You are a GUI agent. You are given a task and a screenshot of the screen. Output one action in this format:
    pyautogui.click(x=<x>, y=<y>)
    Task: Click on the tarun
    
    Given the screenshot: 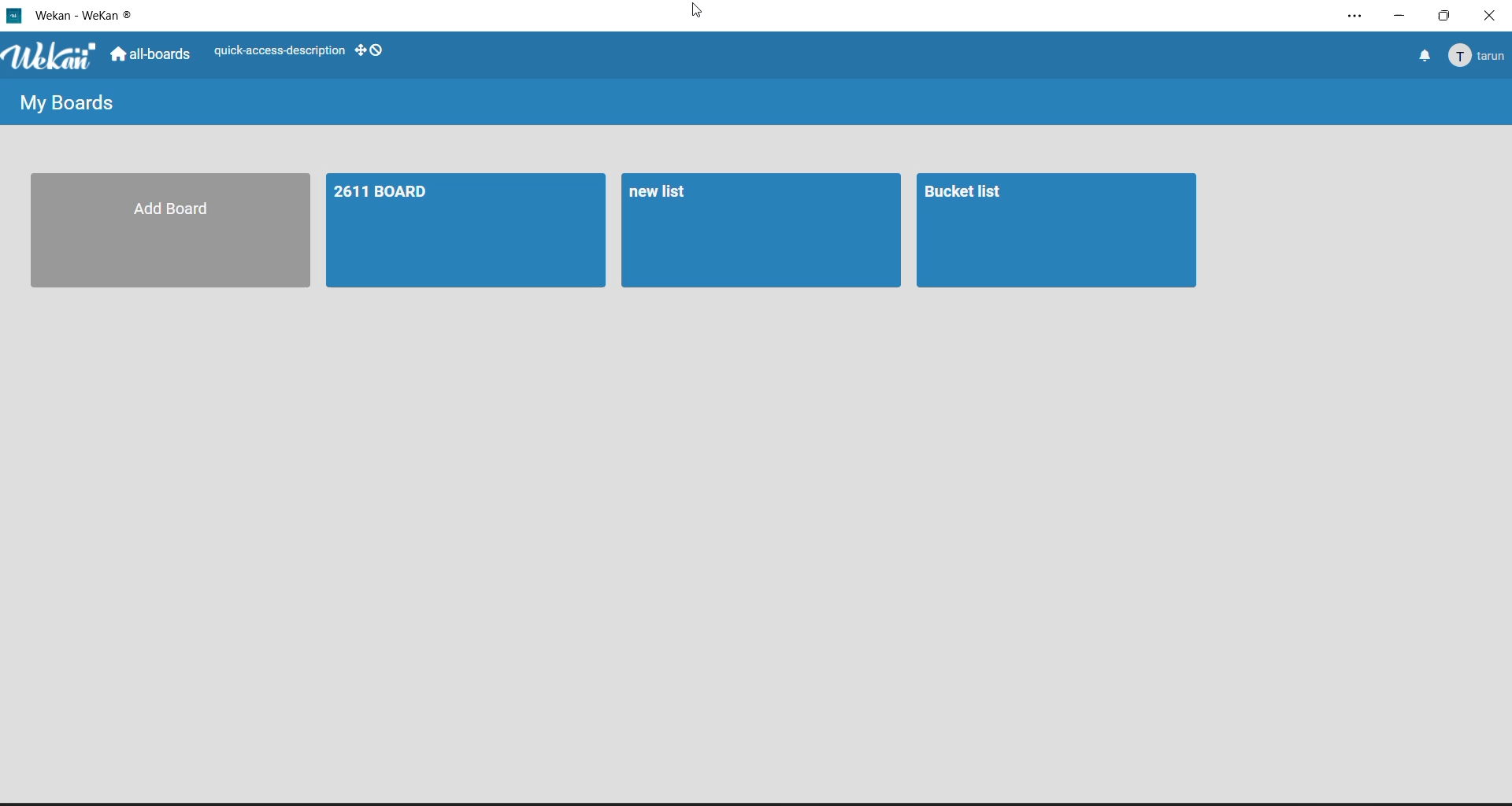 What is the action you would take?
    pyautogui.click(x=1479, y=56)
    